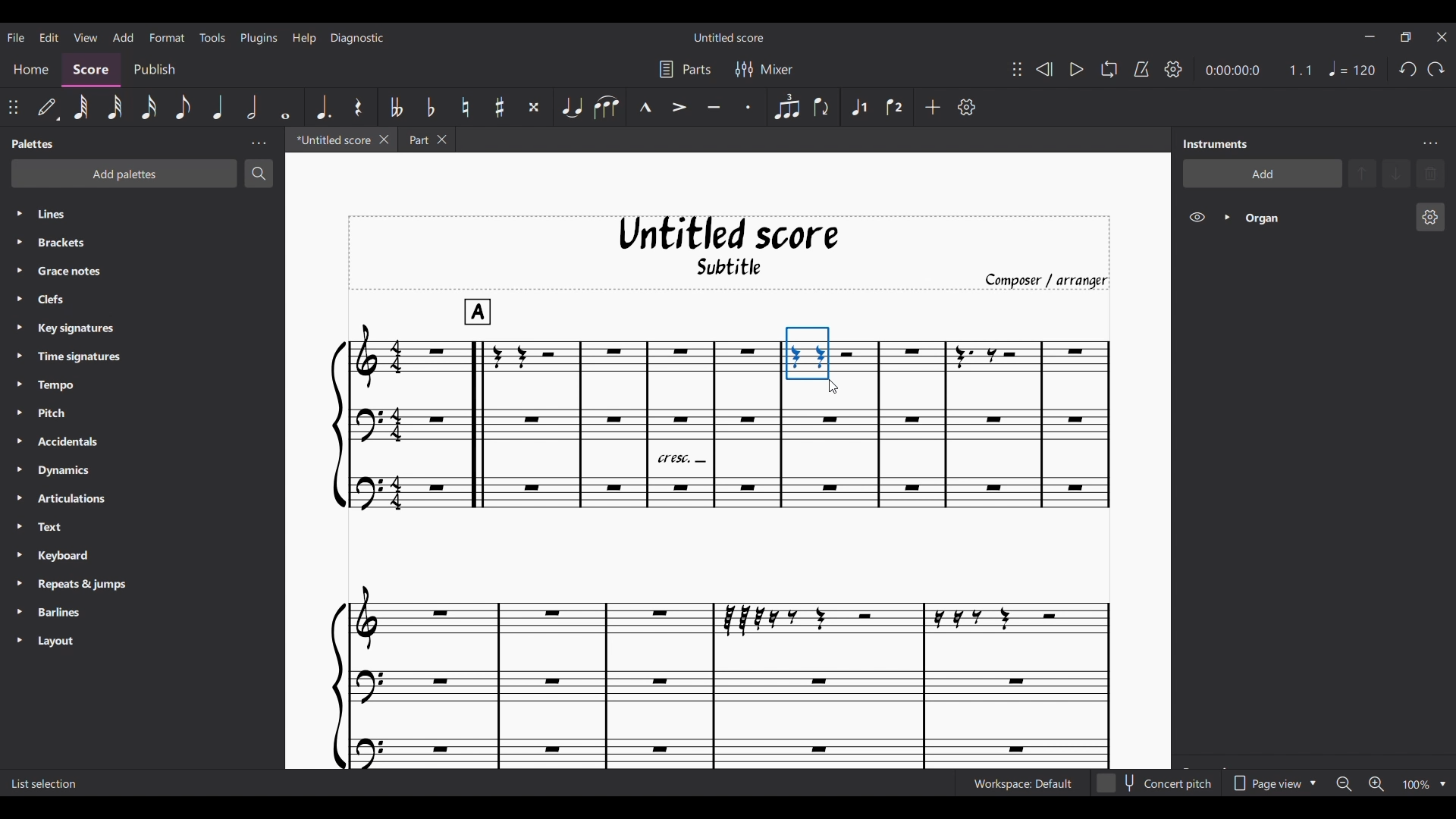  What do you see at coordinates (284, 107) in the screenshot?
I see `Whole note` at bounding box center [284, 107].